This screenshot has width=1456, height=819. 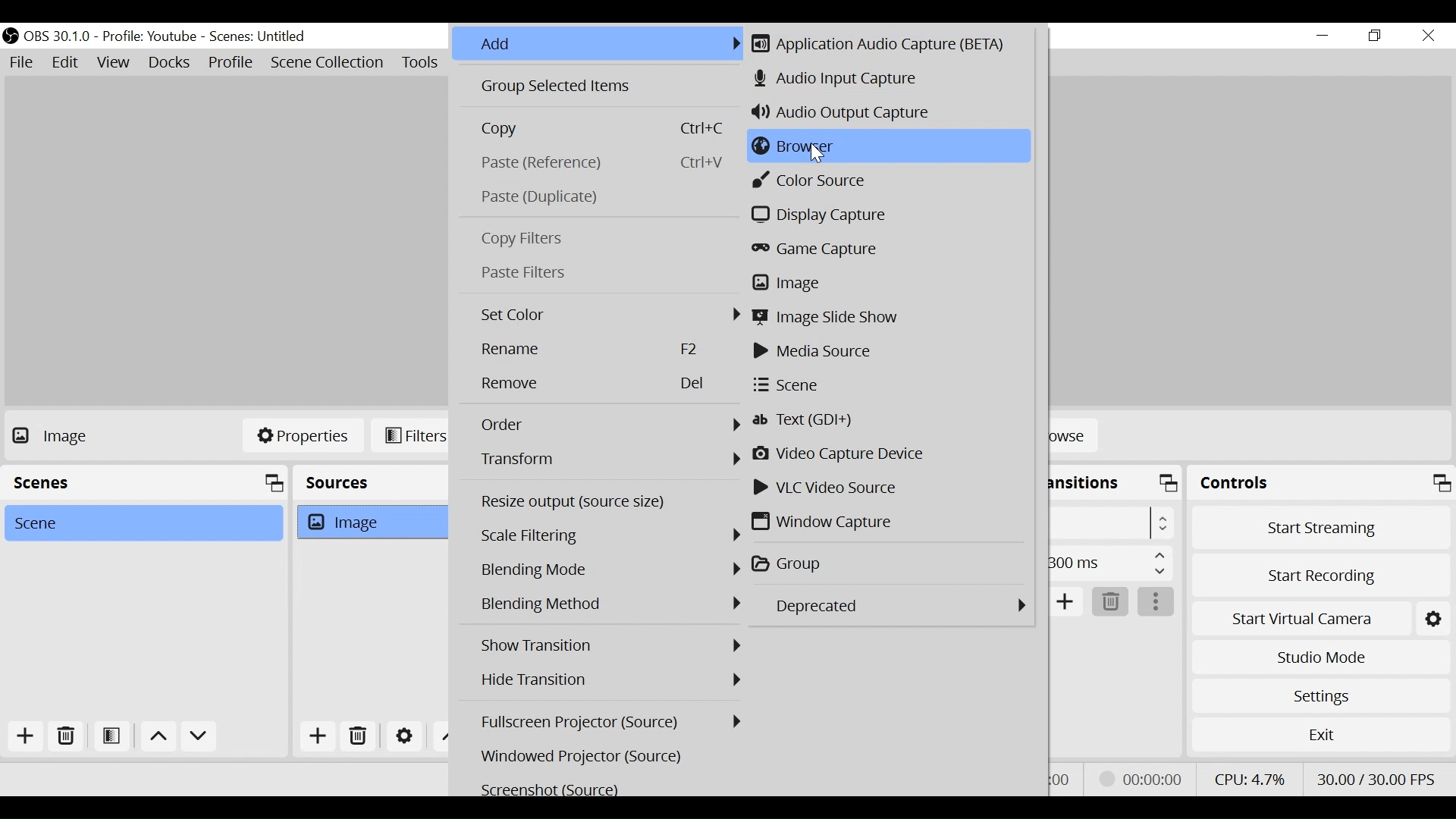 What do you see at coordinates (160, 737) in the screenshot?
I see `move up` at bounding box center [160, 737].